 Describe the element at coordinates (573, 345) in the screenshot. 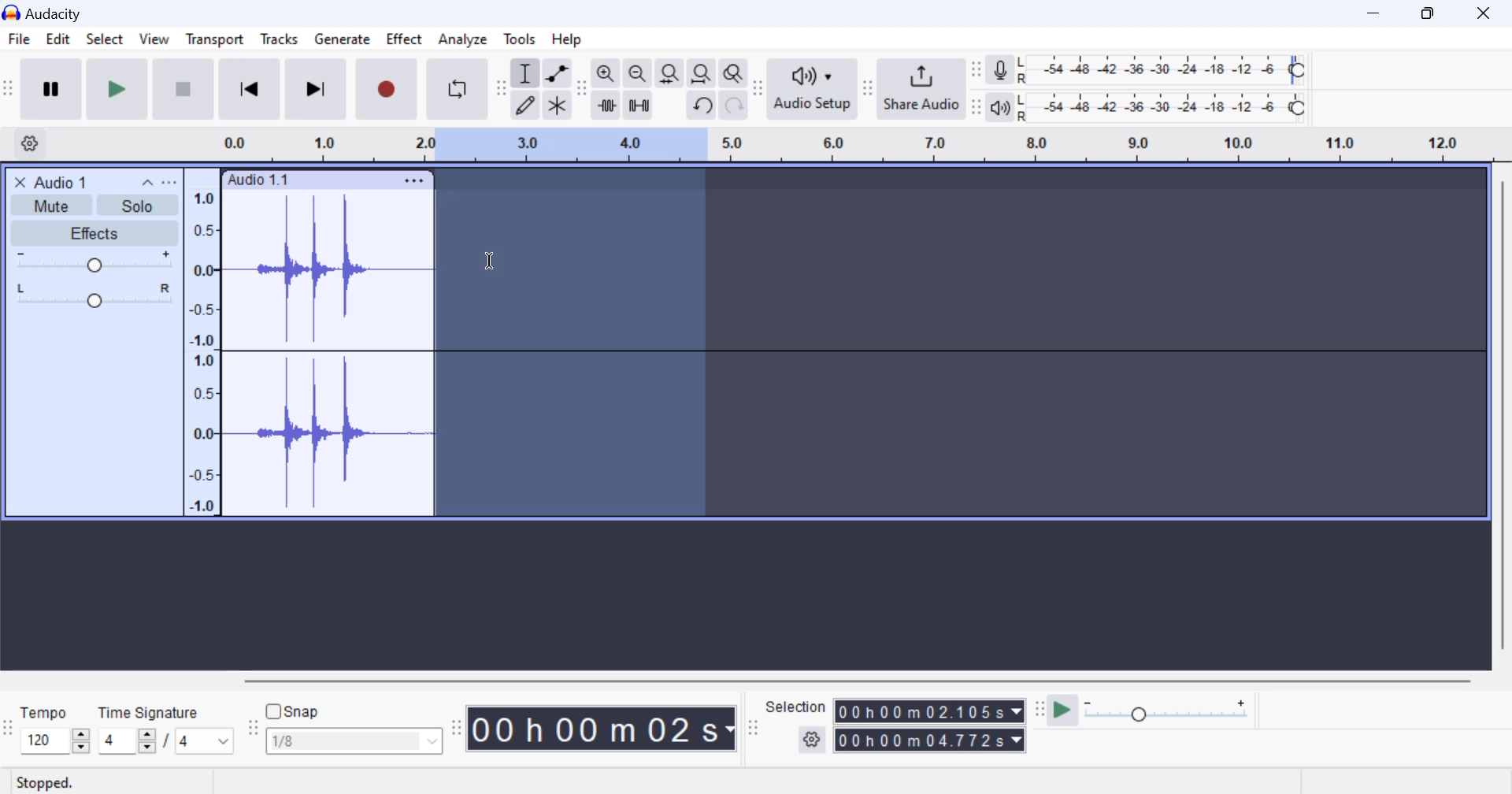

I see `Area Selected` at that location.